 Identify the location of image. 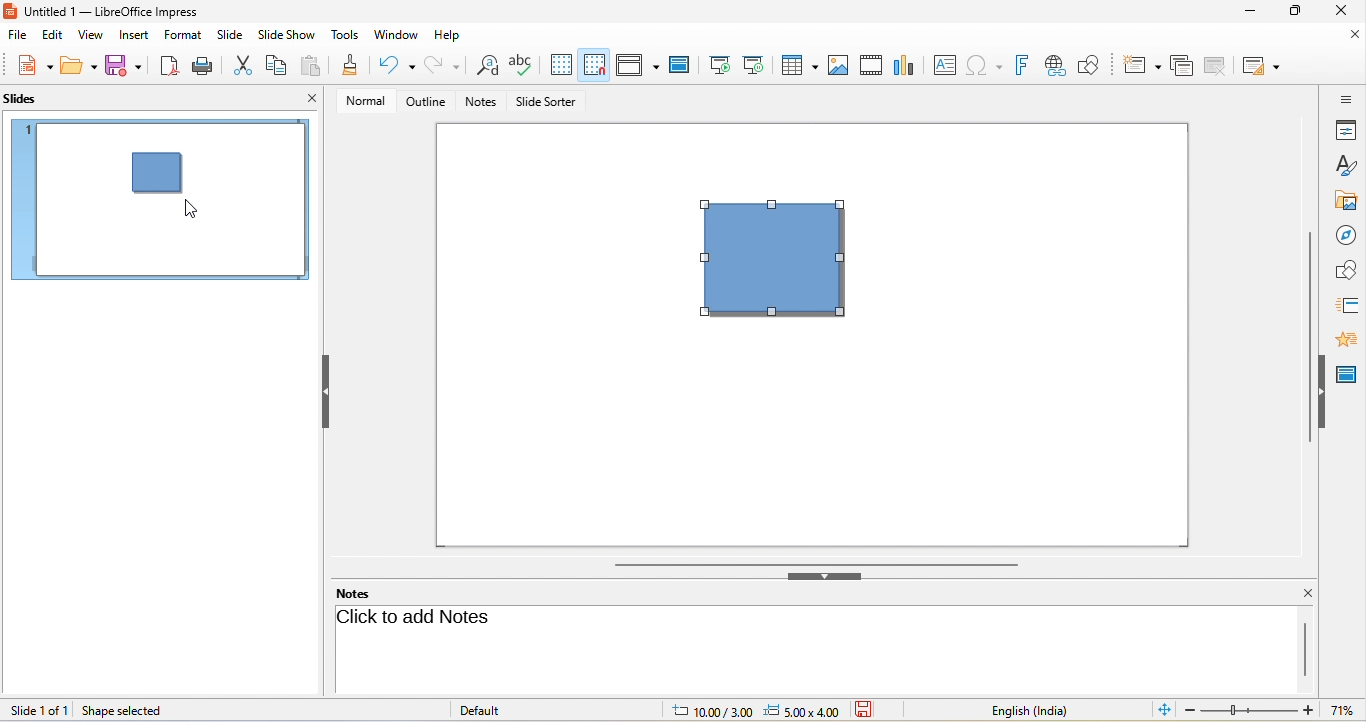
(837, 64).